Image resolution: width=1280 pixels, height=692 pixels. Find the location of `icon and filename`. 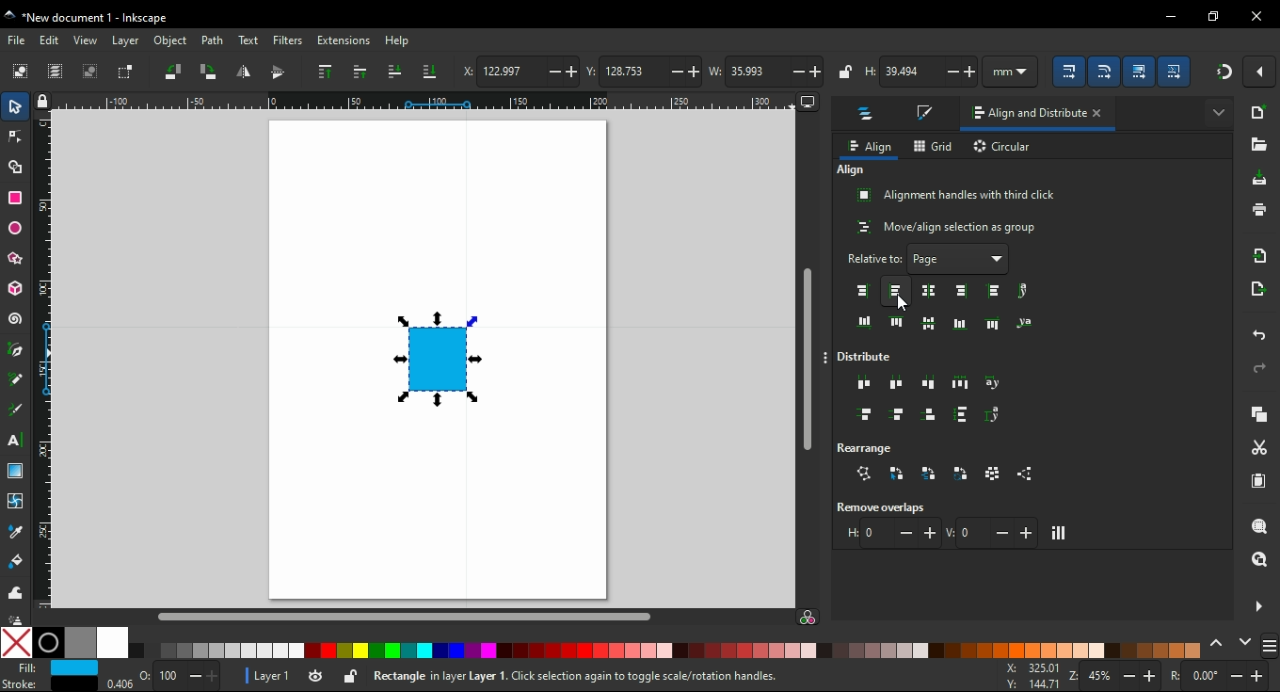

icon and filename is located at coordinates (98, 16).